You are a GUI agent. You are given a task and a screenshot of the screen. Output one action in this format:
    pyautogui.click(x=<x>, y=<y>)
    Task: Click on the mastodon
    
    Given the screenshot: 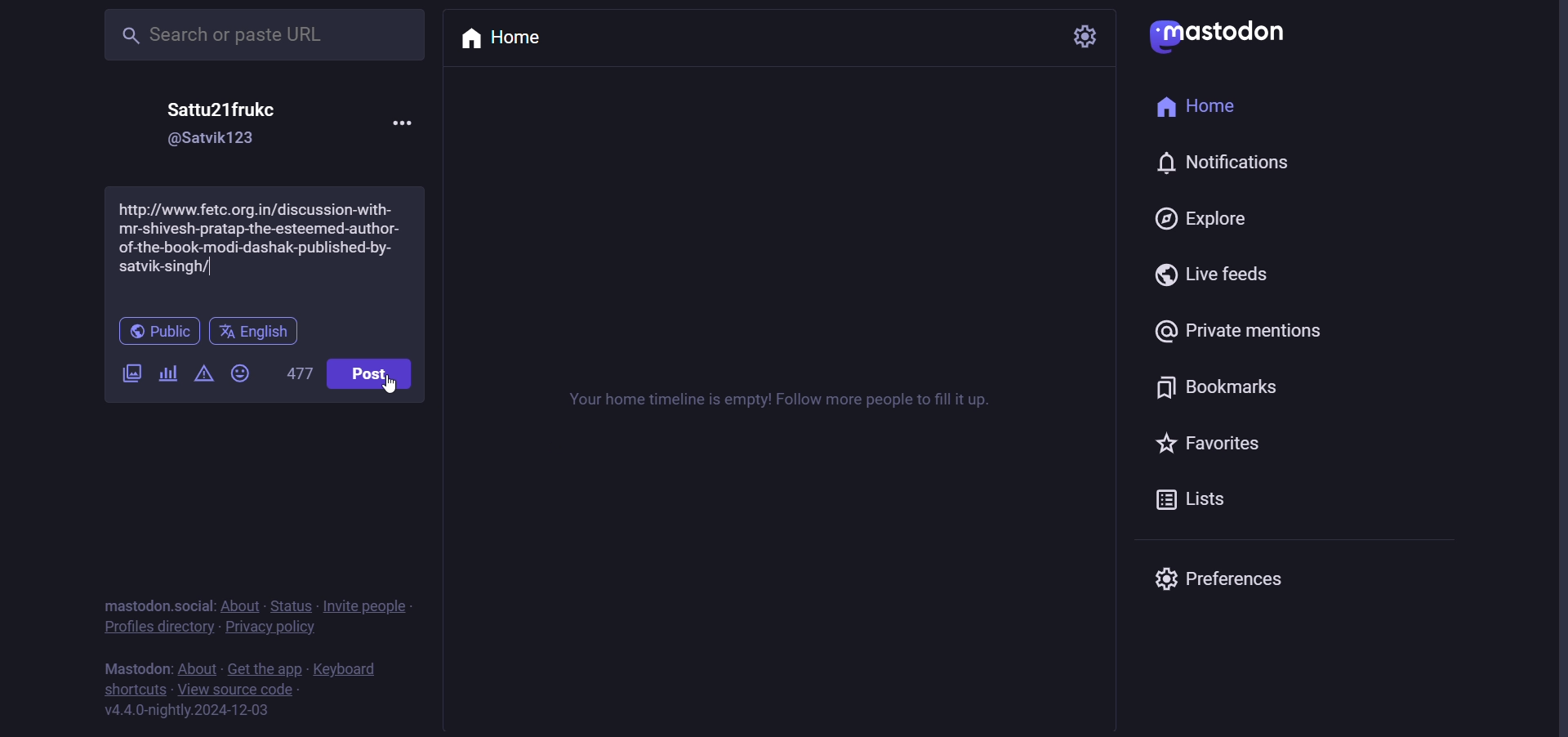 What is the action you would take?
    pyautogui.click(x=128, y=667)
    